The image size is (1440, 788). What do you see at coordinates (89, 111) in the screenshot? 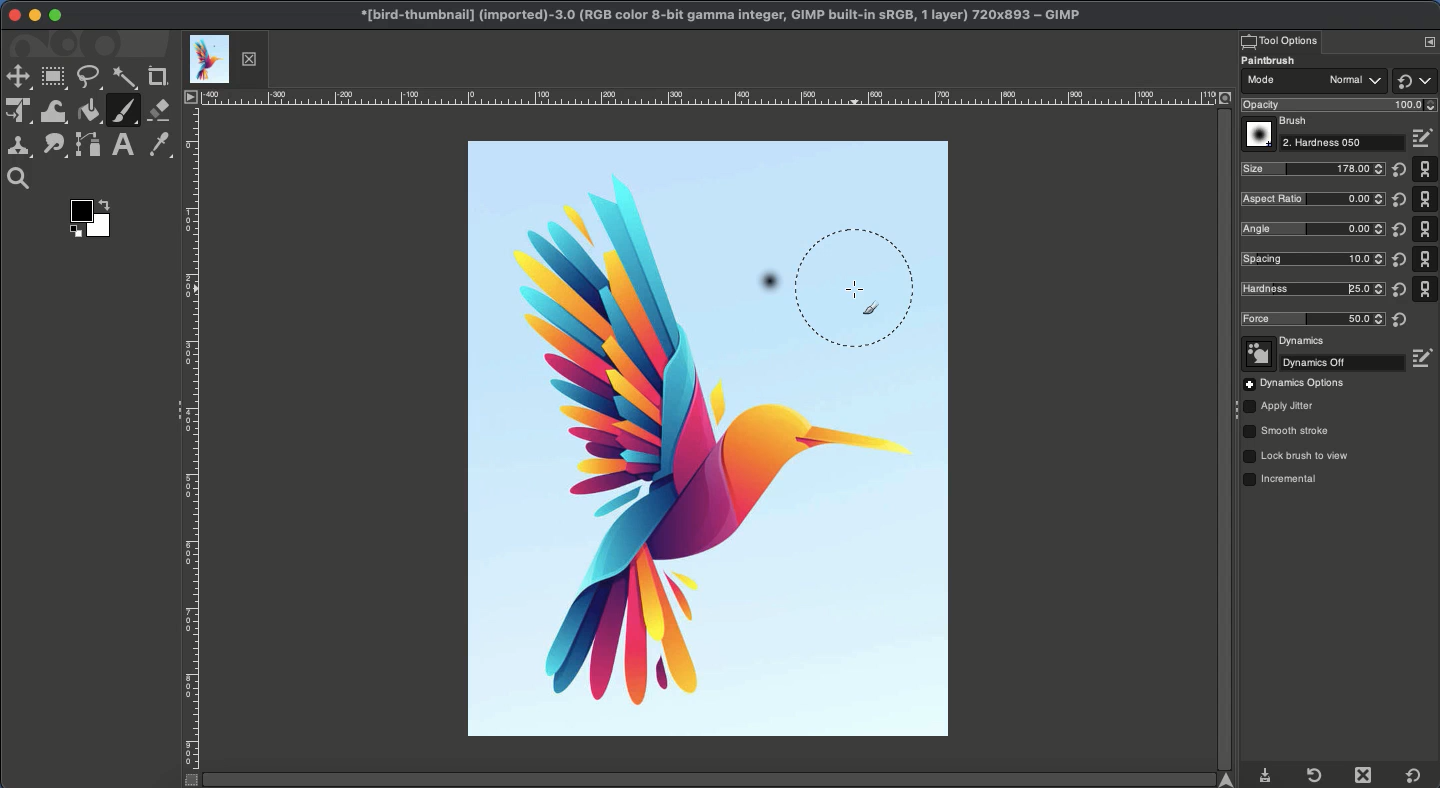
I see `Fill color` at bounding box center [89, 111].